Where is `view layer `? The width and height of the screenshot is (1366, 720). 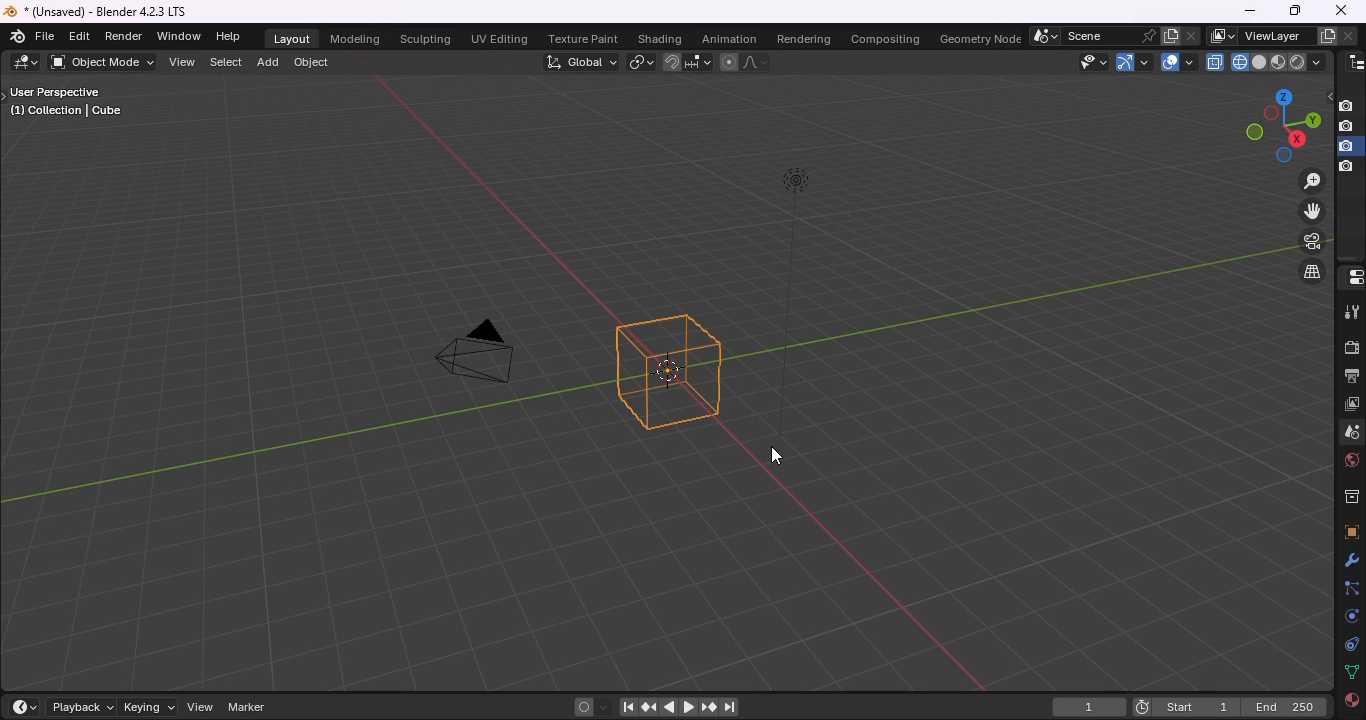 view layer  is located at coordinates (1271, 35).